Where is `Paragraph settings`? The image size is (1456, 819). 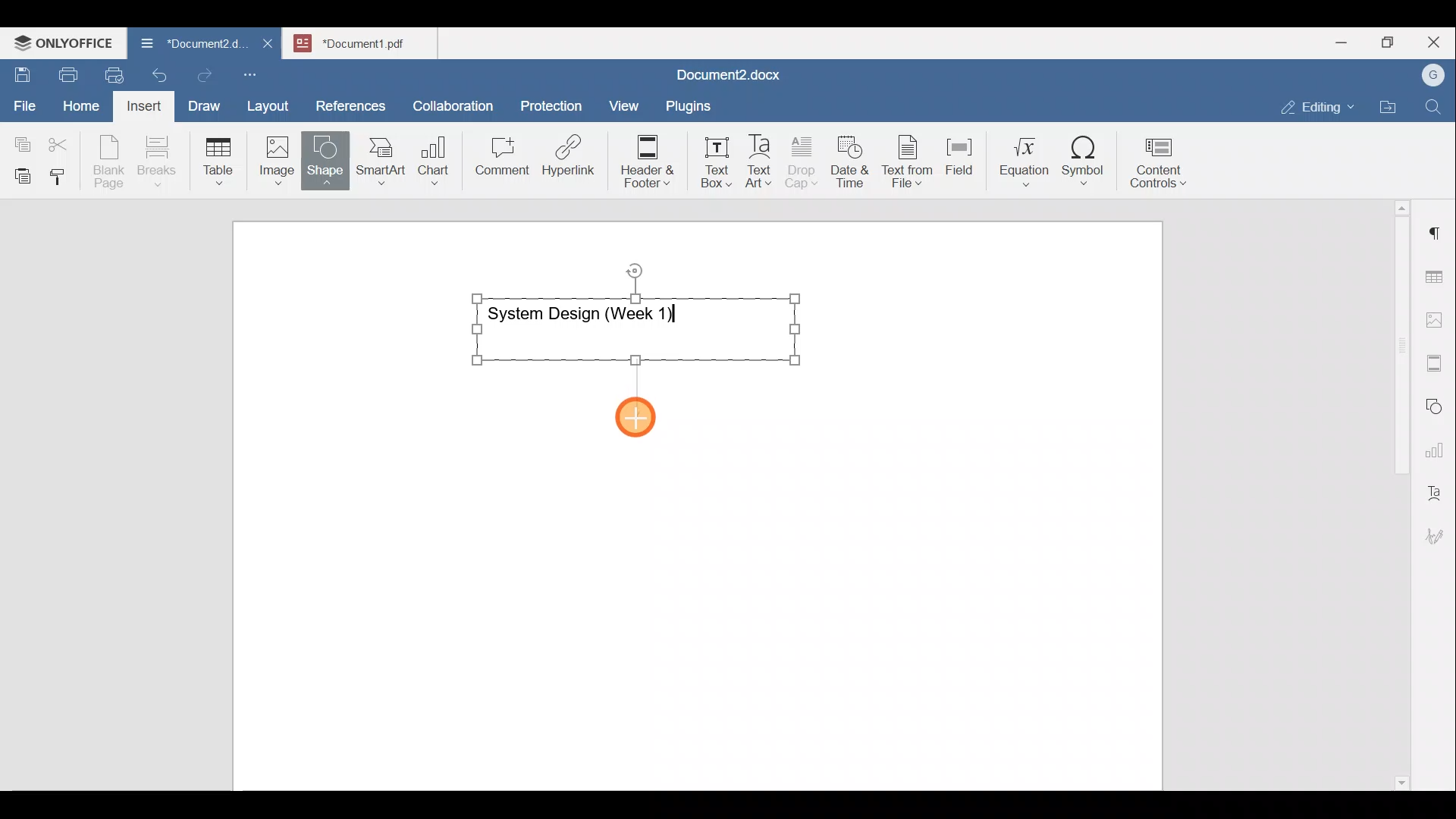 Paragraph settings is located at coordinates (1436, 227).